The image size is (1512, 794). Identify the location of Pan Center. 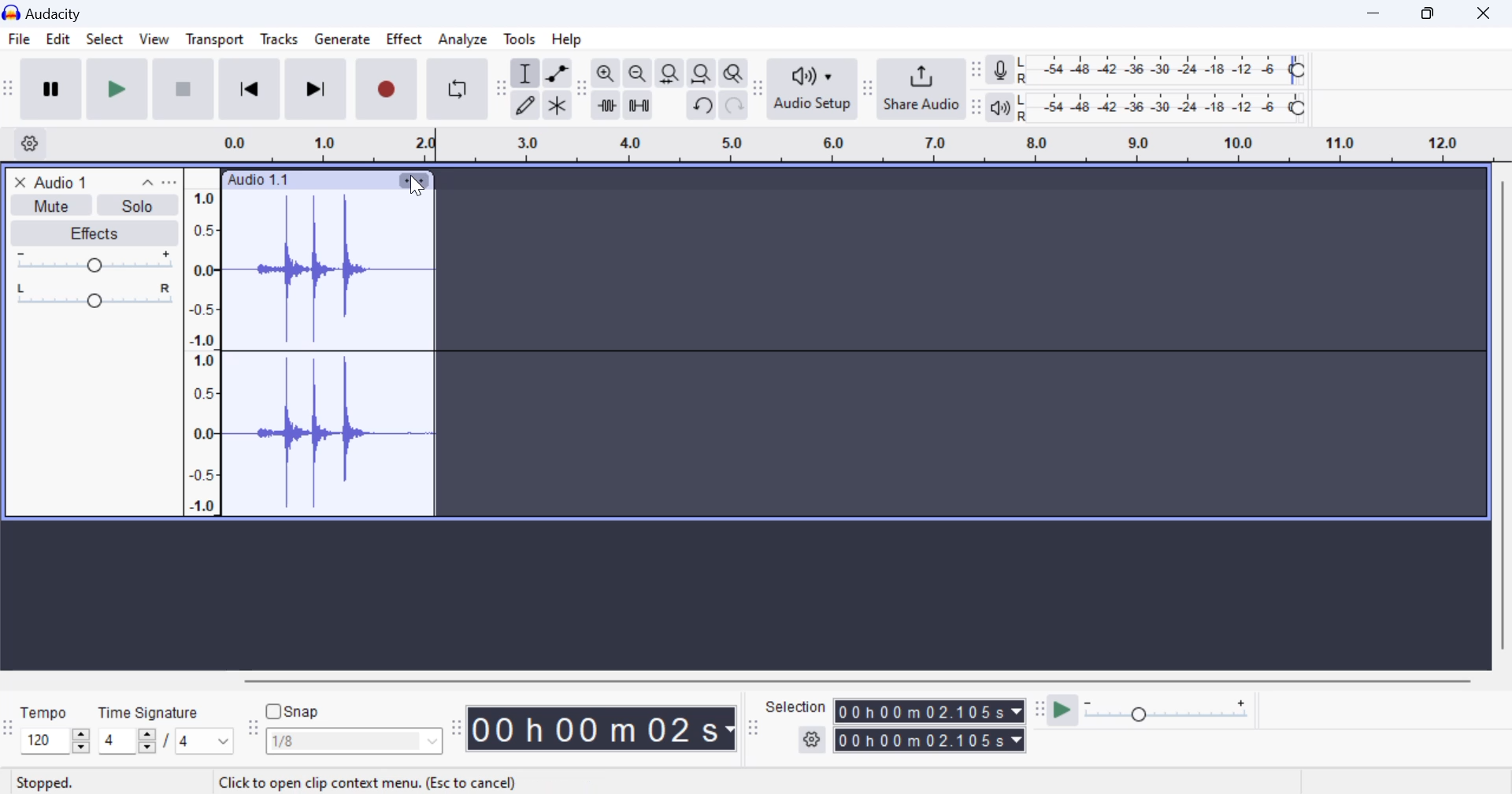
(98, 295).